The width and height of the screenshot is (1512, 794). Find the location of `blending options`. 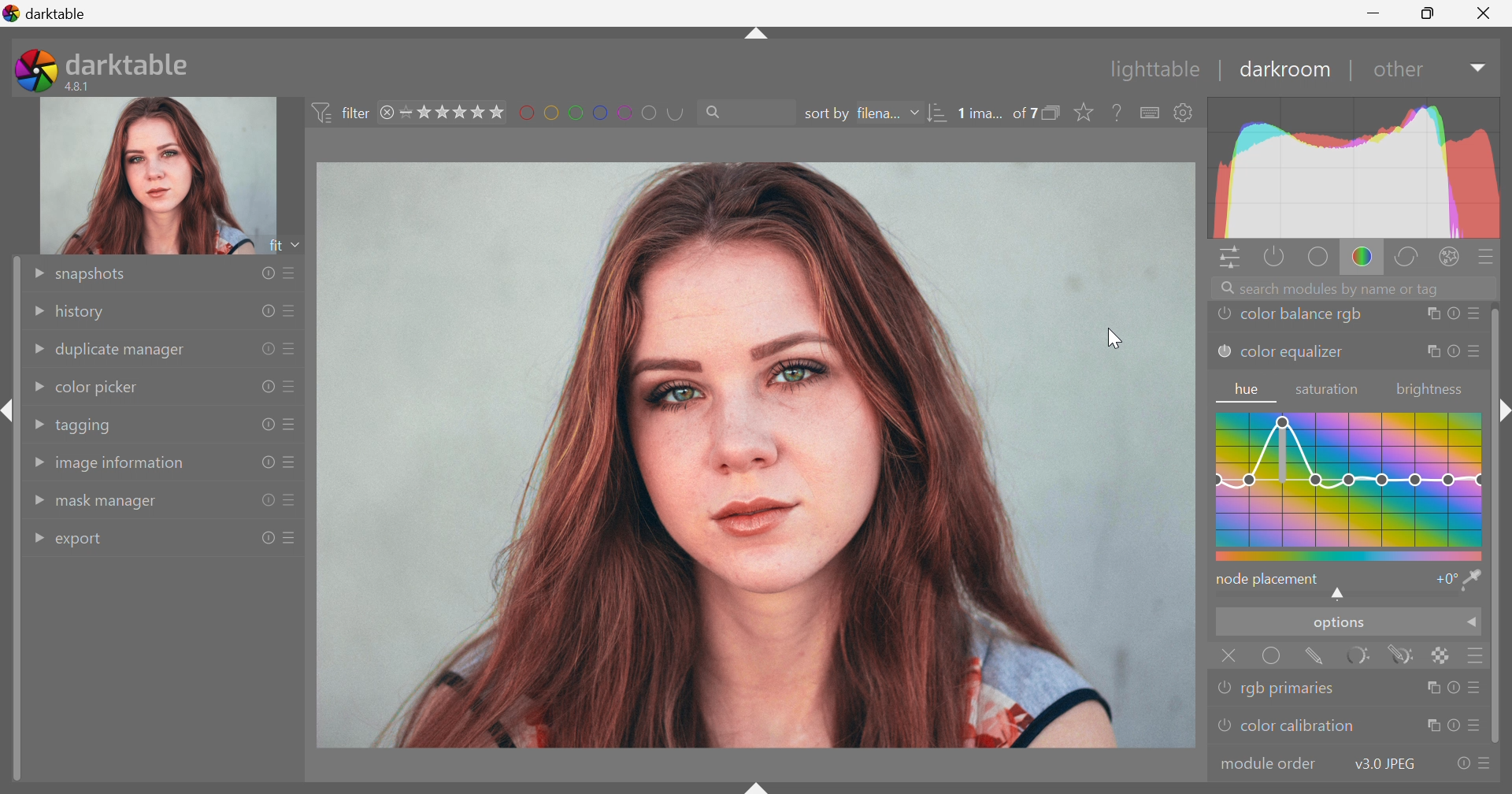

blending options is located at coordinates (1480, 655).